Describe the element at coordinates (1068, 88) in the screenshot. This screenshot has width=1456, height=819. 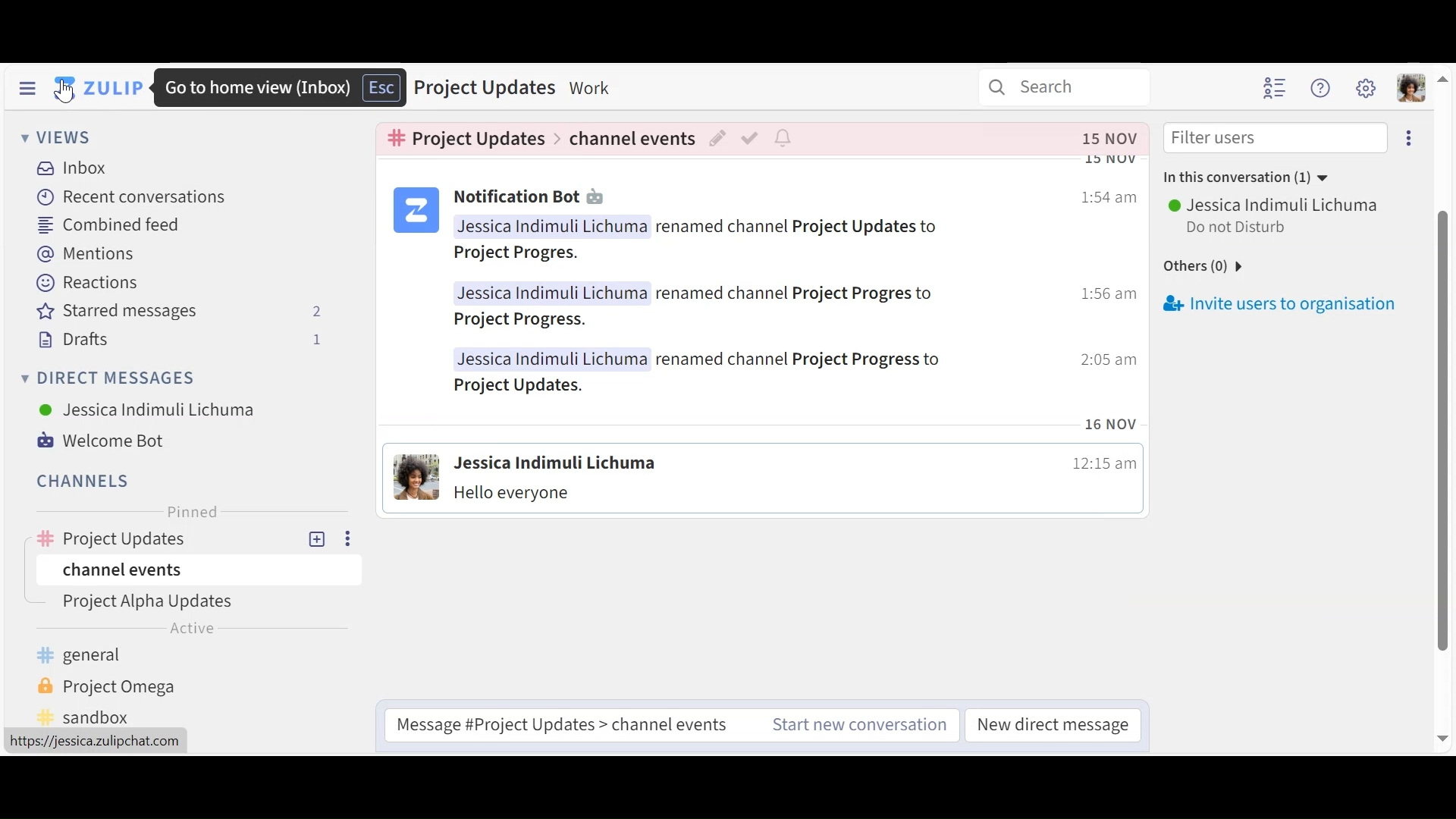
I see `Search` at that location.